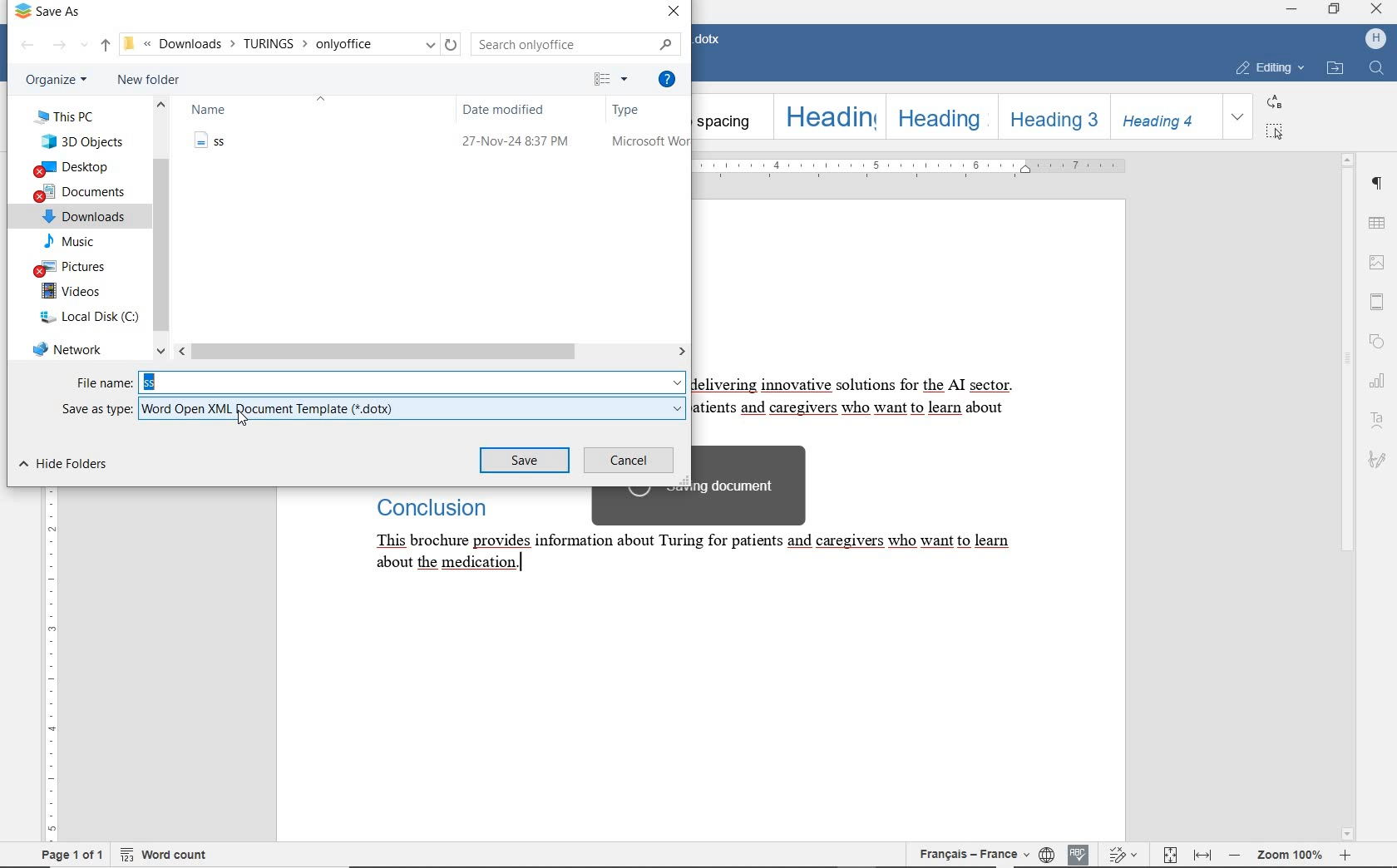  I want to click on Recent location, so click(83, 48).